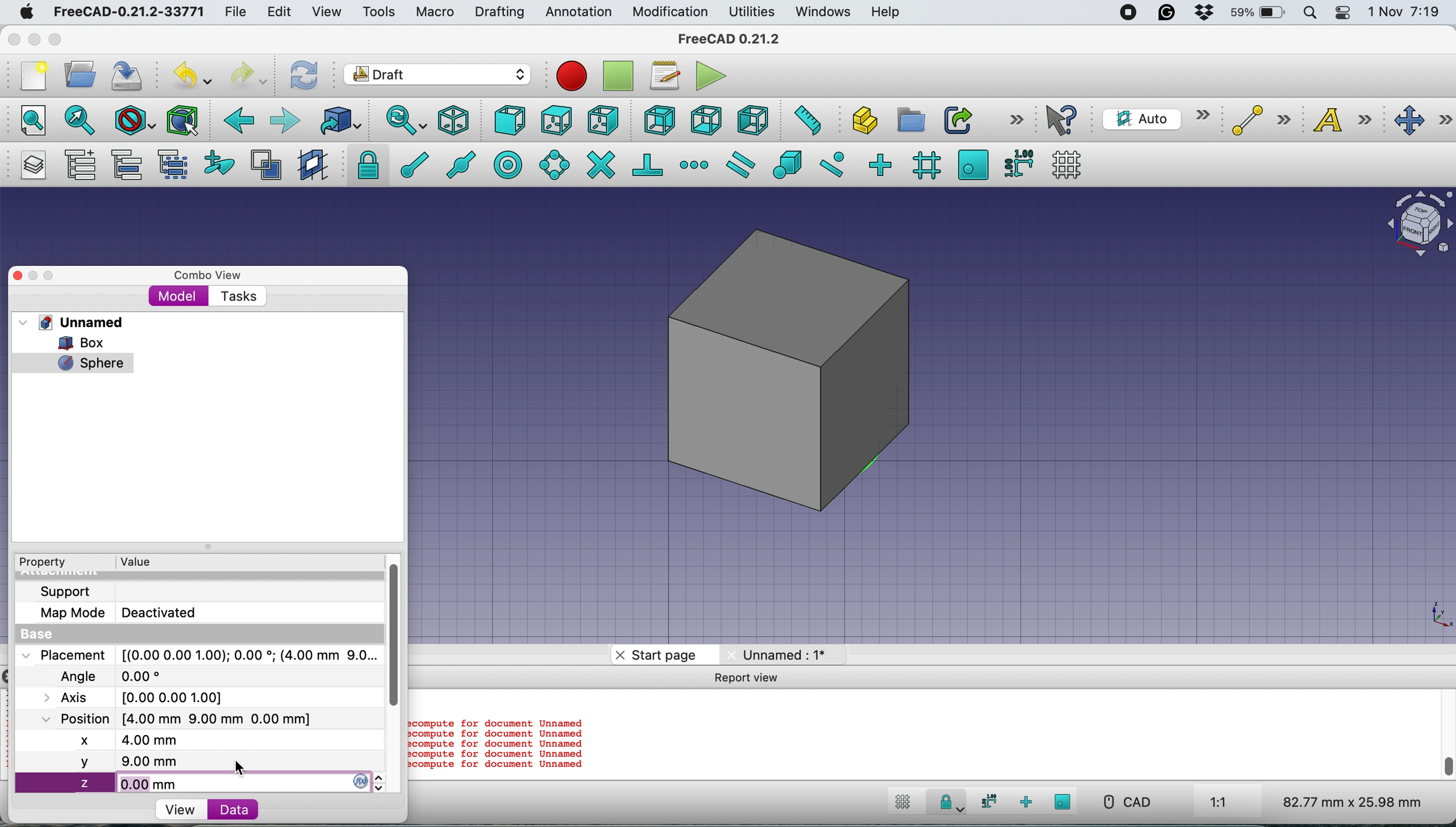 The width and height of the screenshot is (1456, 827). I want to click on cad, so click(1126, 802).